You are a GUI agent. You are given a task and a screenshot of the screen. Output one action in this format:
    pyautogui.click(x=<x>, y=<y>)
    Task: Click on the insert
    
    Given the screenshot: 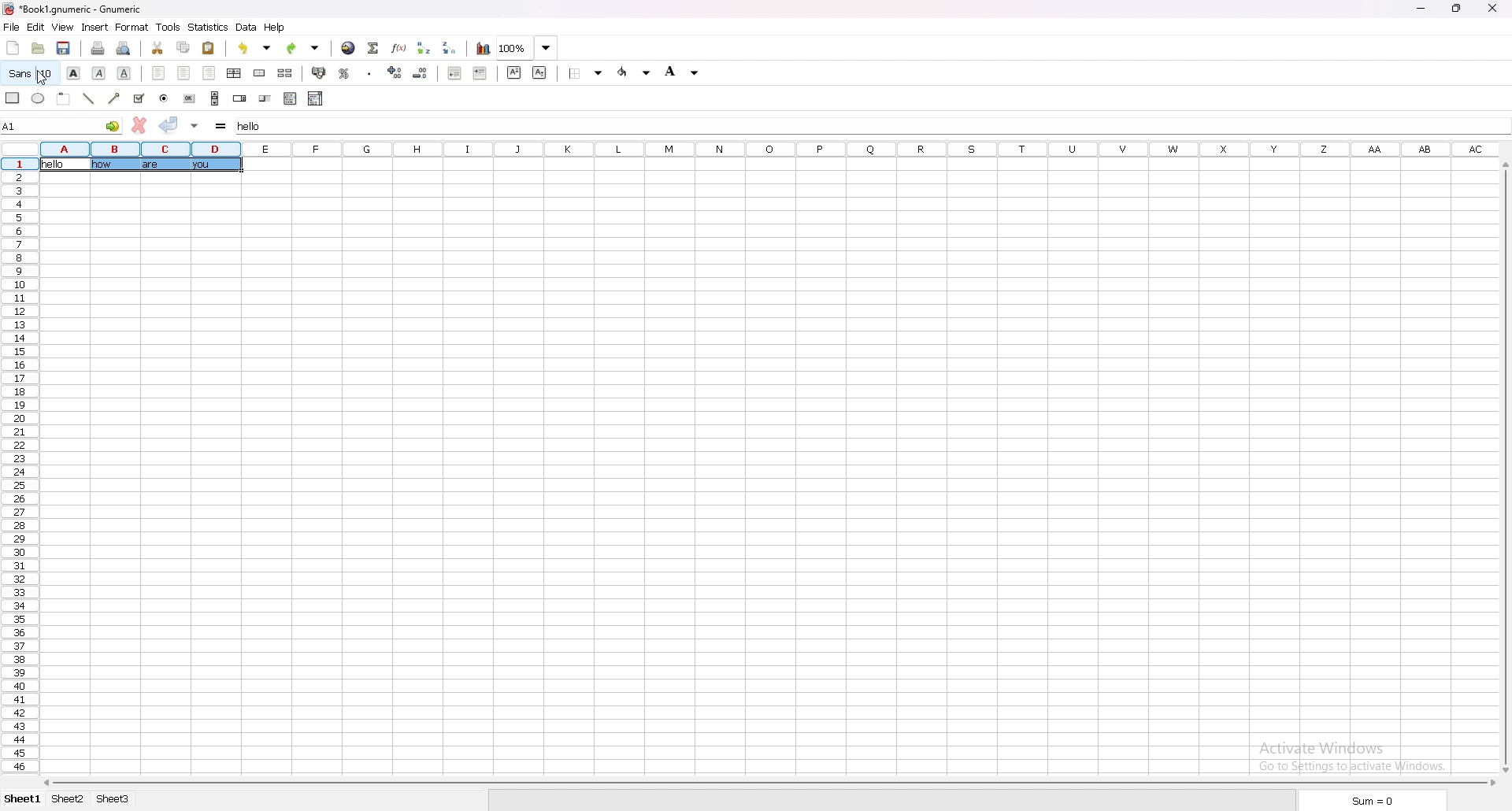 What is the action you would take?
    pyautogui.click(x=96, y=26)
    